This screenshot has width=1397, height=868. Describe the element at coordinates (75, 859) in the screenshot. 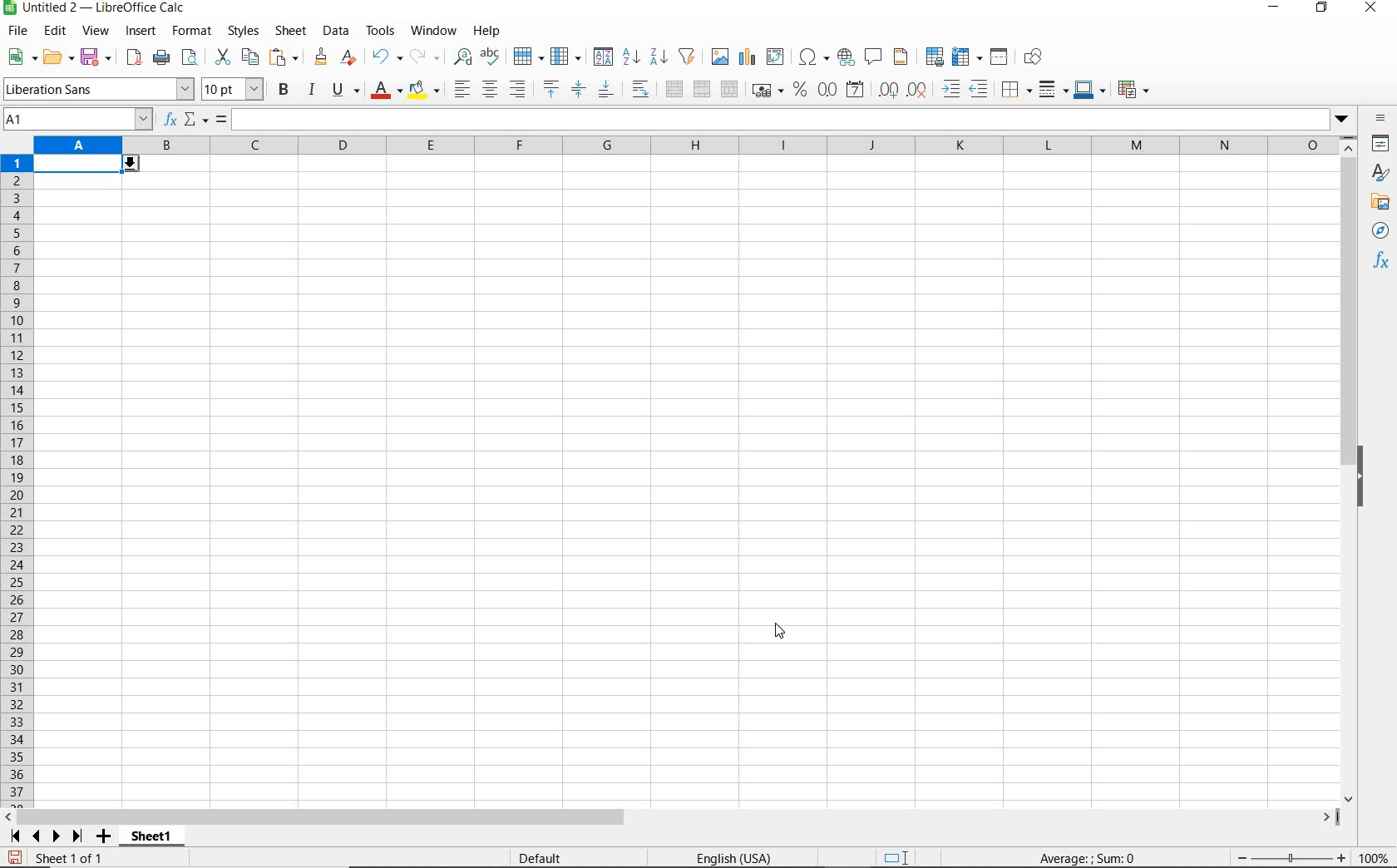

I see `sheet 1 of 1` at that location.